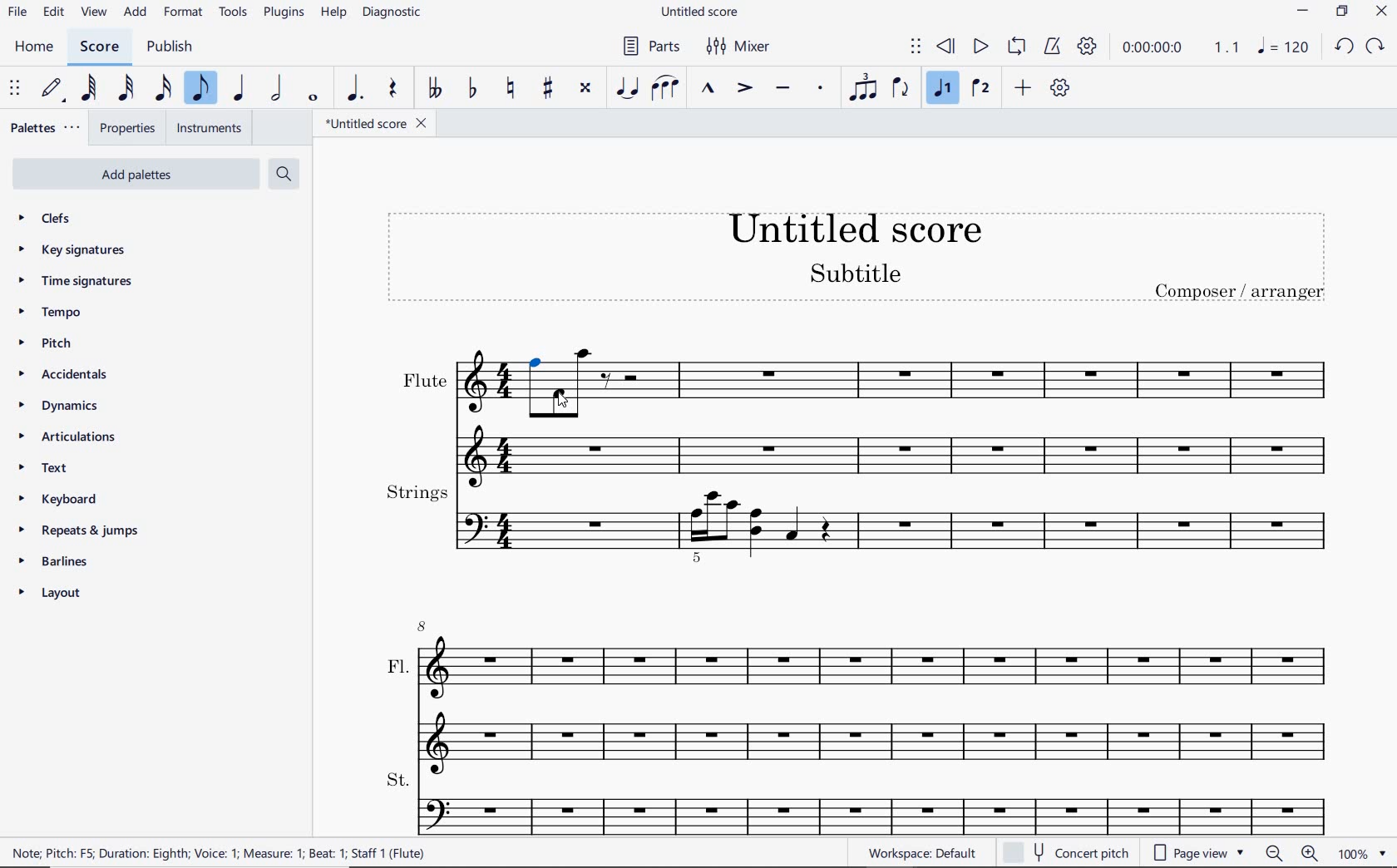 The width and height of the screenshot is (1397, 868). What do you see at coordinates (980, 46) in the screenshot?
I see `PLAY` at bounding box center [980, 46].